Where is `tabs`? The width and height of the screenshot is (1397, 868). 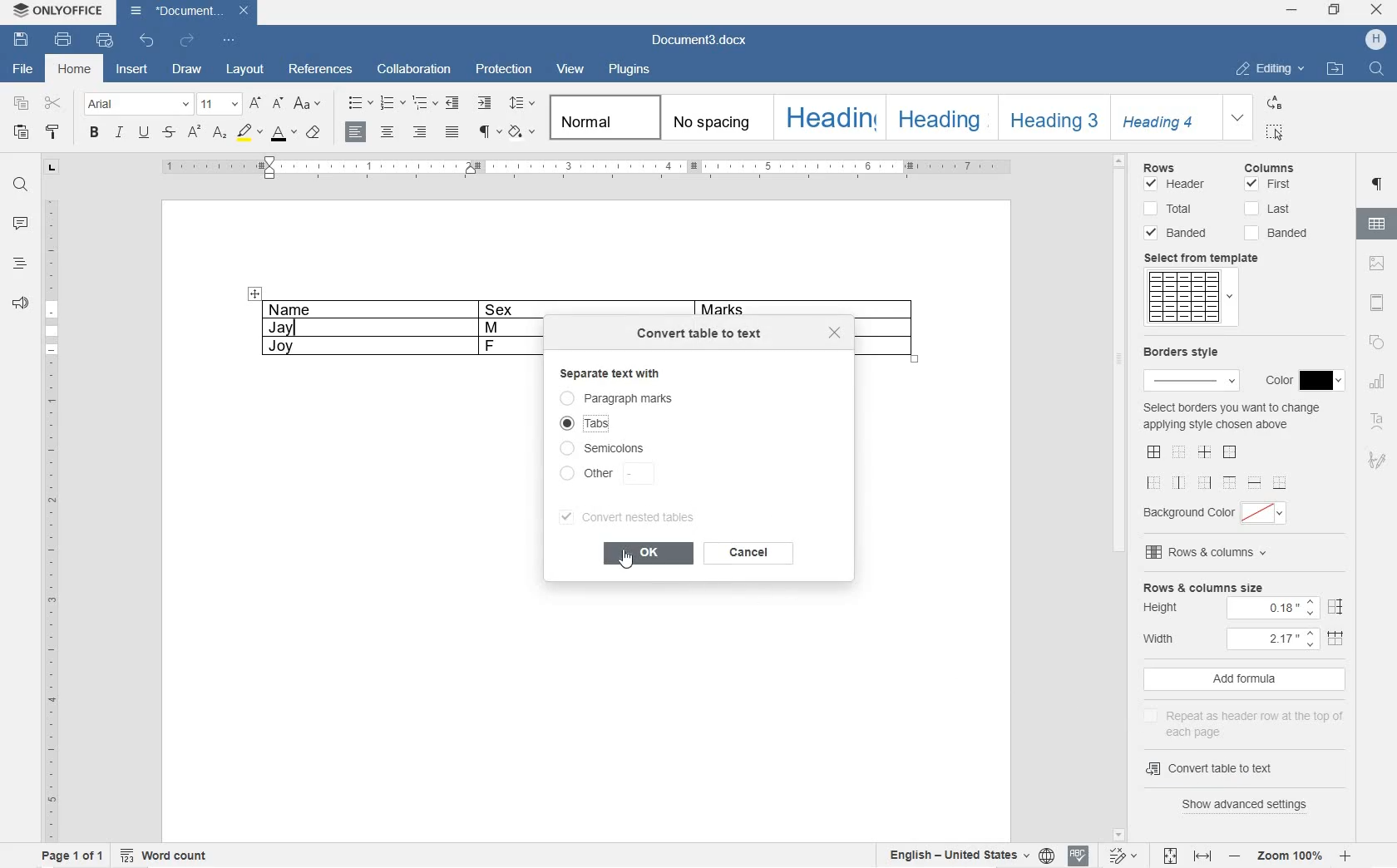
tabs is located at coordinates (594, 423).